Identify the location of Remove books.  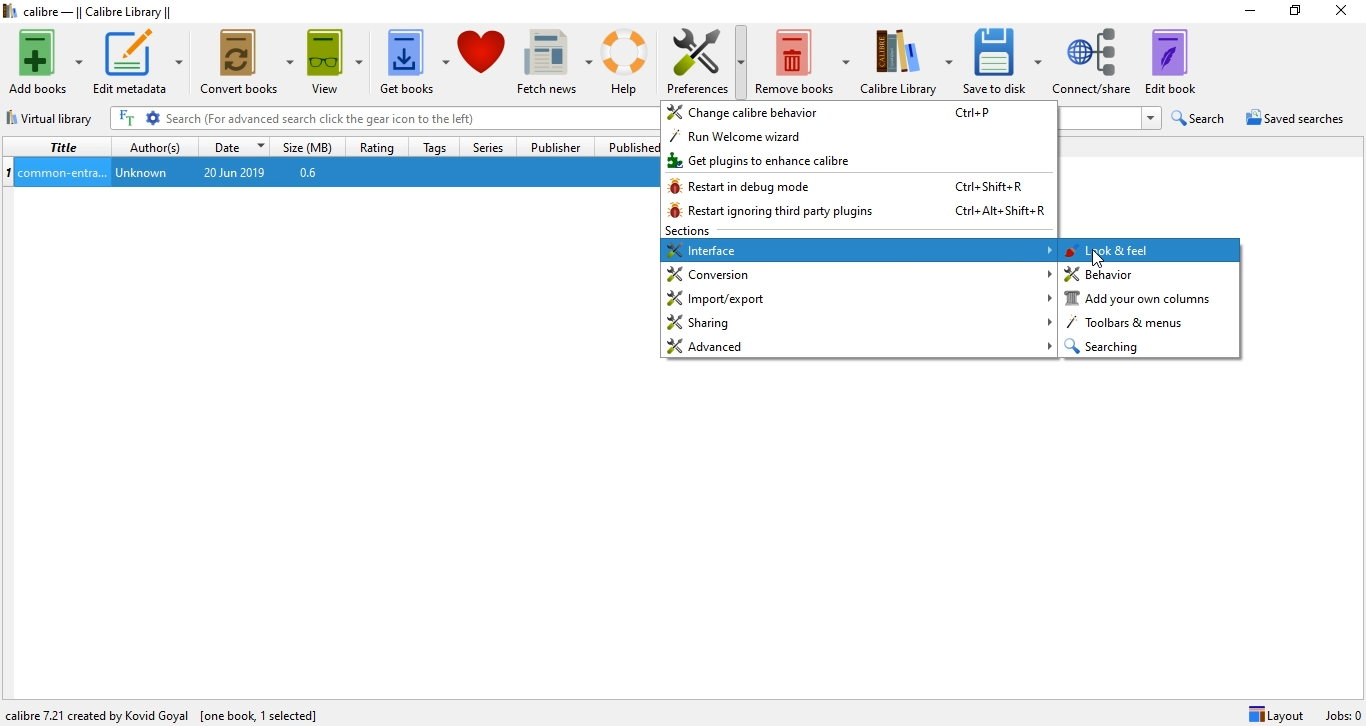
(805, 56).